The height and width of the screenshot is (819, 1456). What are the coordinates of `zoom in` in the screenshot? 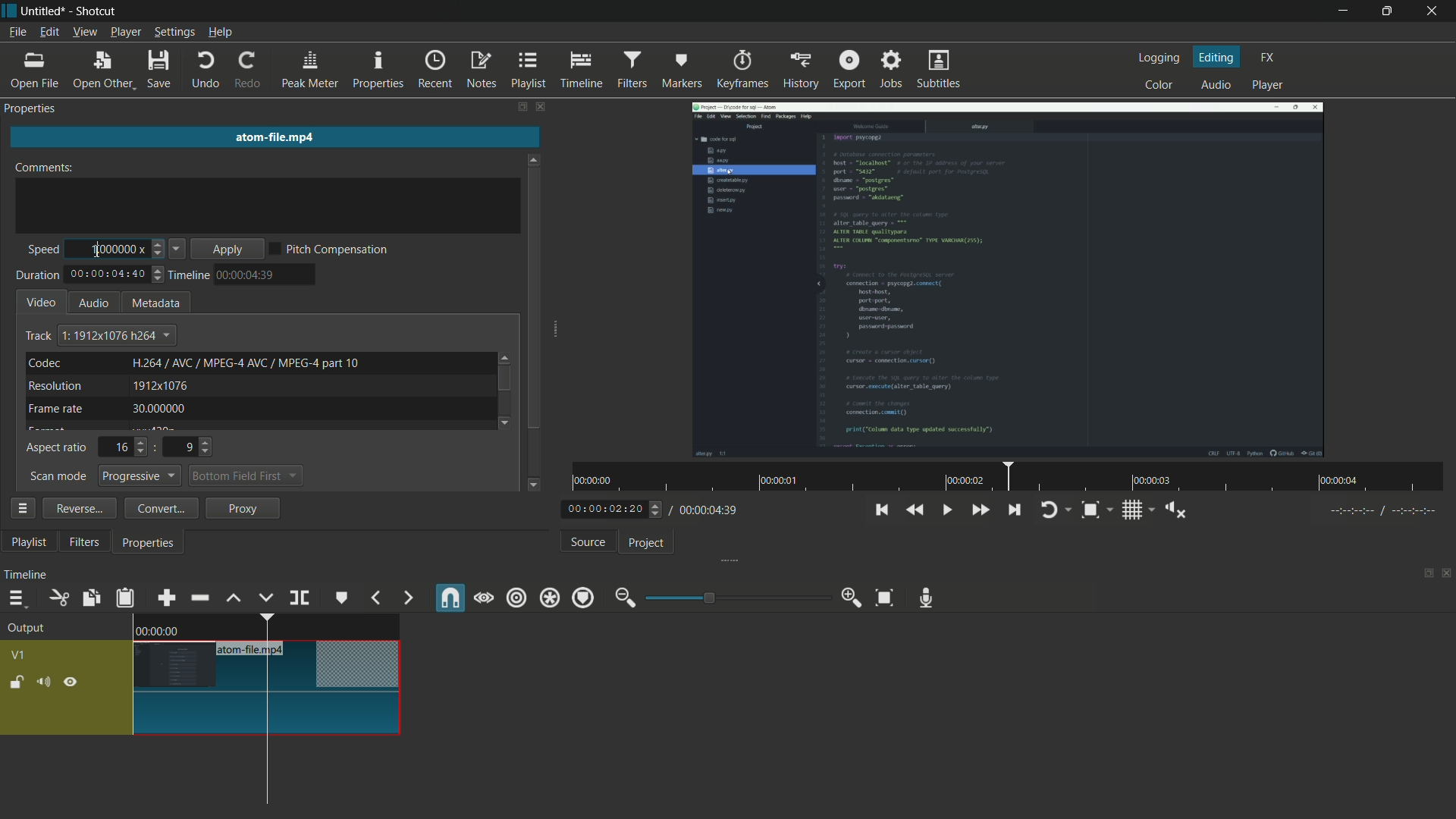 It's located at (853, 597).